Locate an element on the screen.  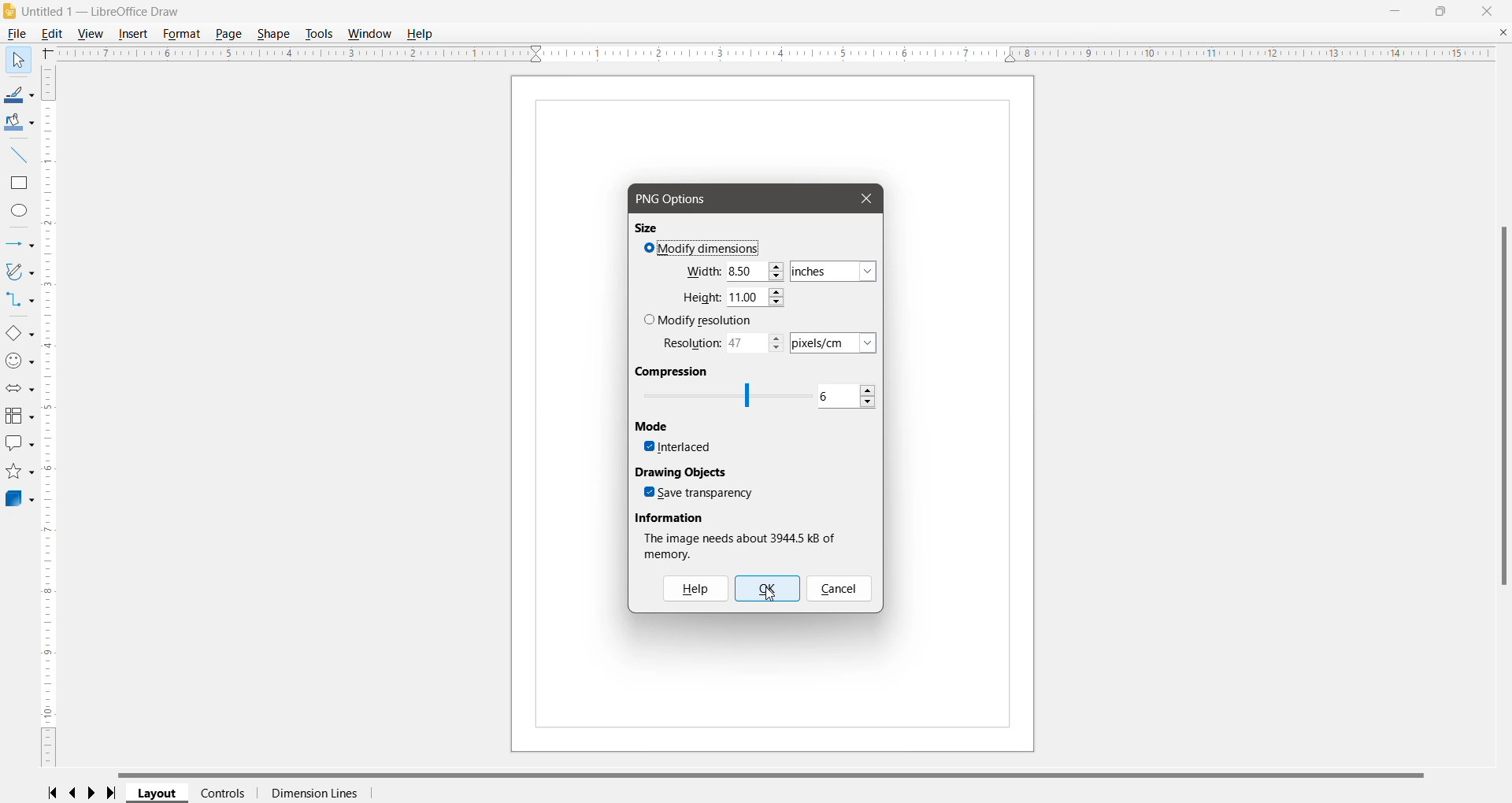
PNG Options is located at coordinates (676, 199).